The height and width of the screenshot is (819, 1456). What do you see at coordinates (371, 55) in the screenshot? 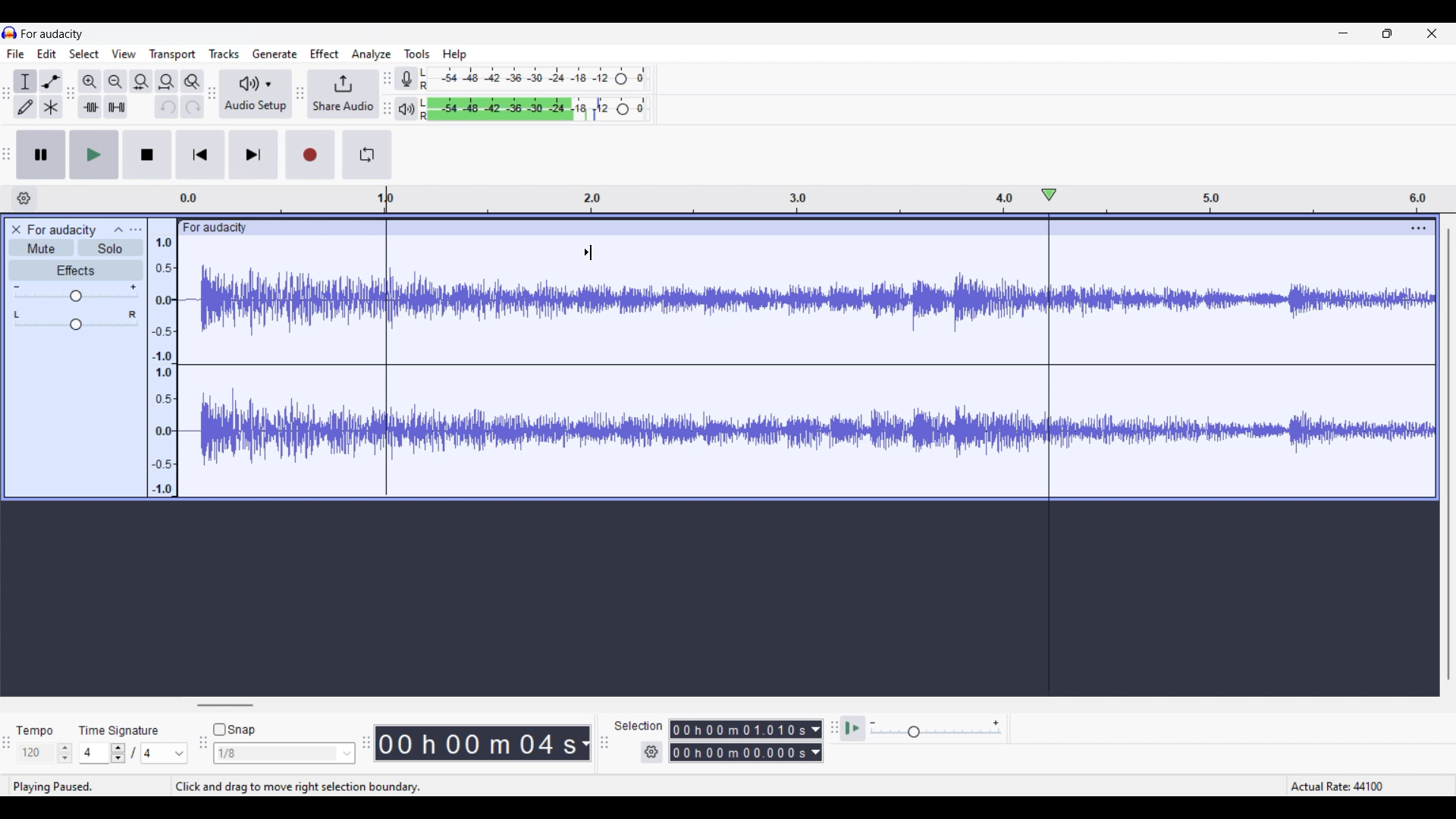
I see `Analyze menu` at bounding box center [371, 55].